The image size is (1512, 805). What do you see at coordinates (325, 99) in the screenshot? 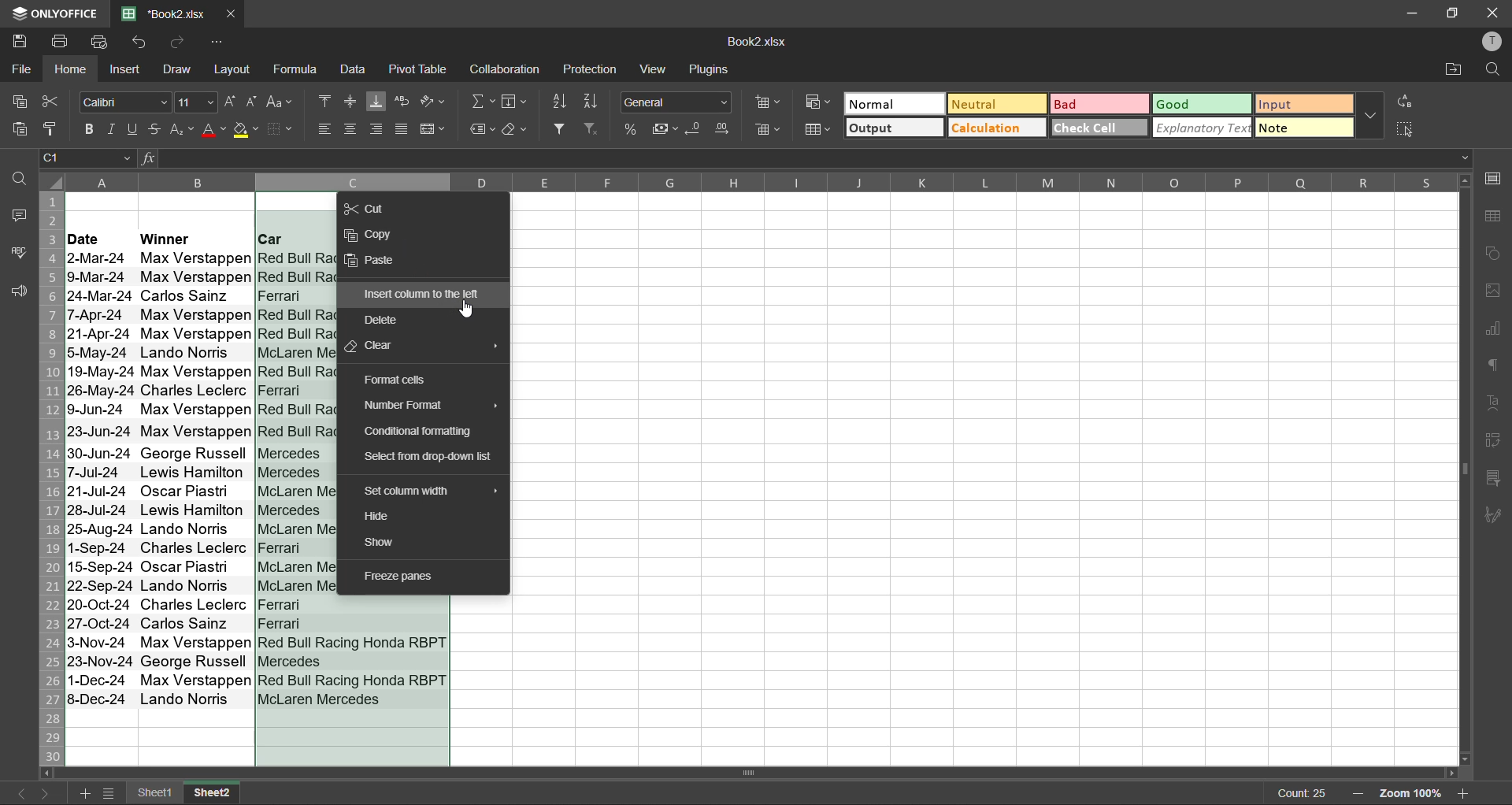
I see `align top` at bounding box center [325, 99].